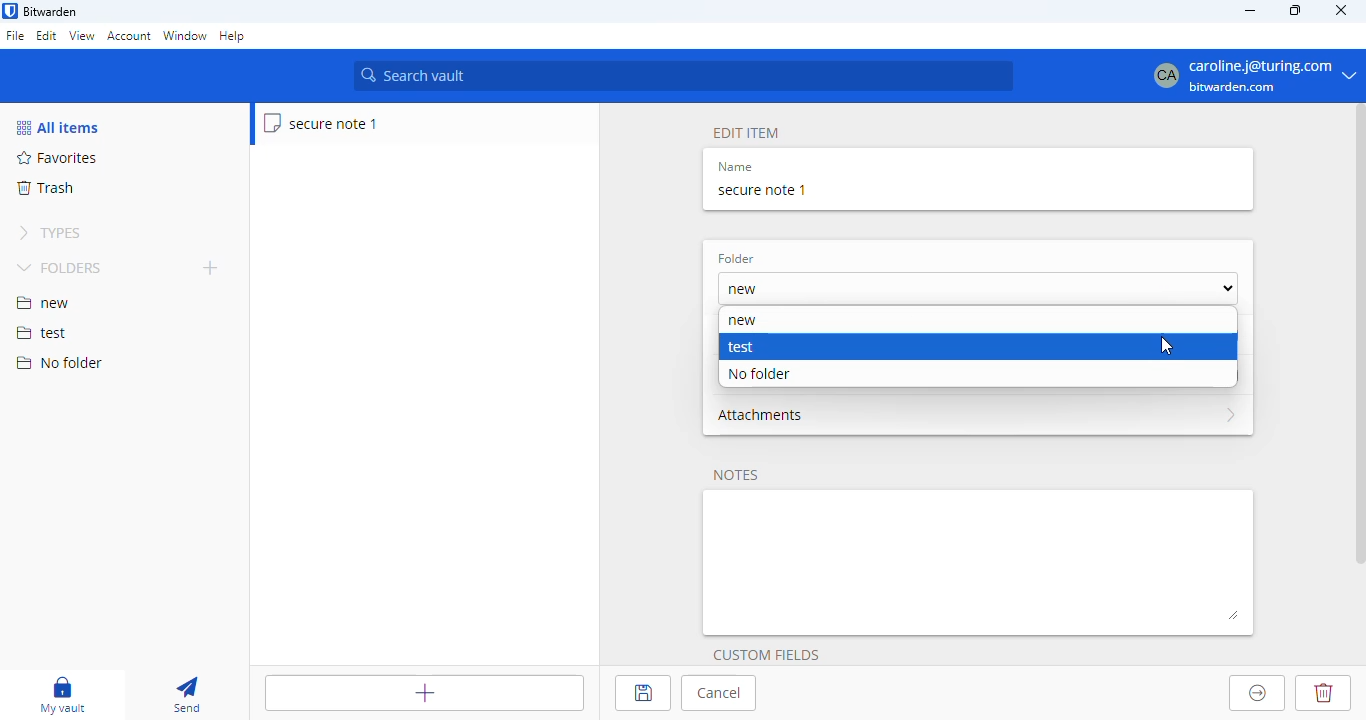 This screenshot has height=720, width=1366. What do you see at coordinates (741, 347) in the screenshot?
I see `test` at bounding box center [741, 347].